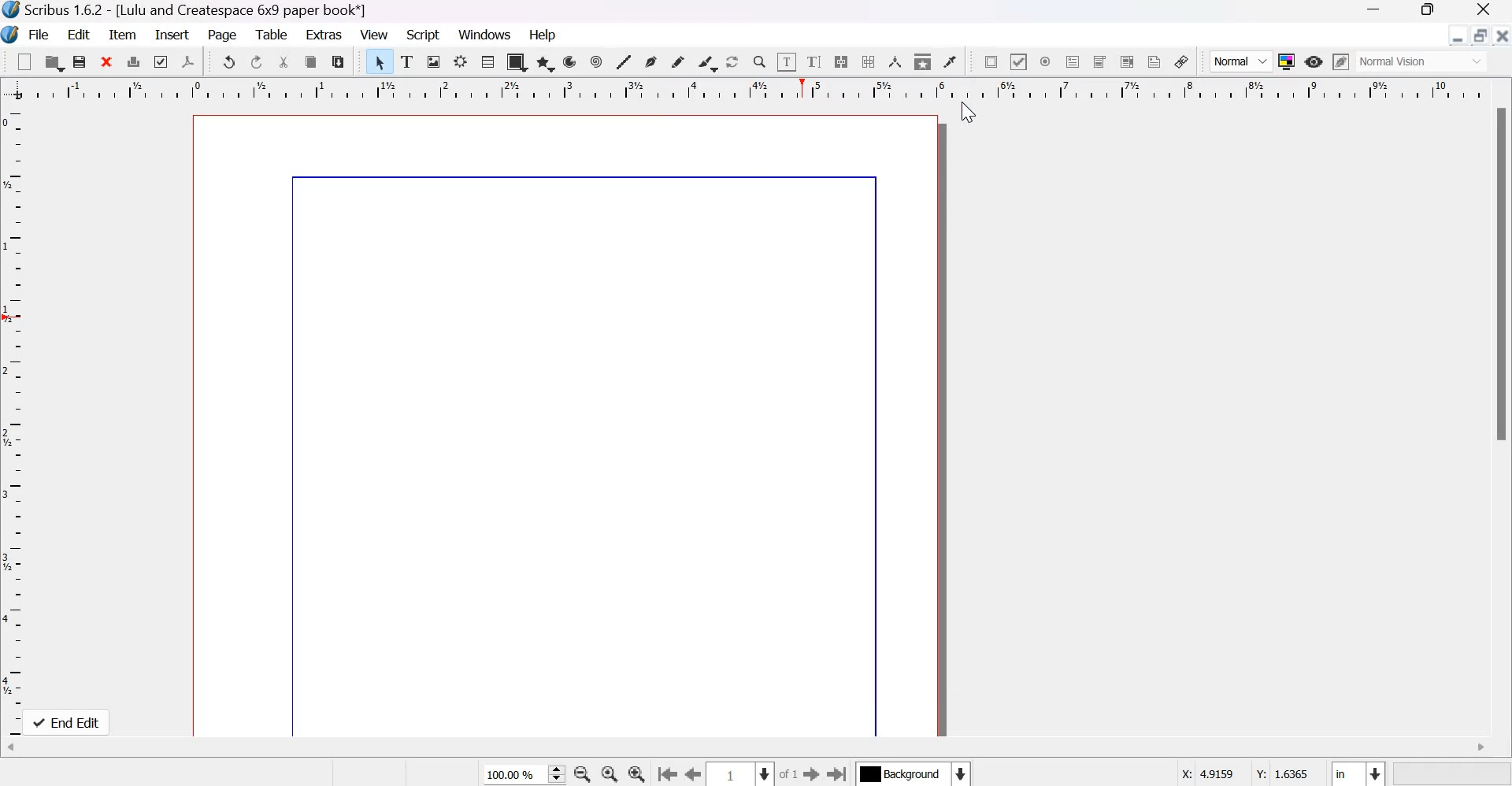 The height and width of the screenshot is (786, 1512). What do you see at coordinates (434, 63) in the screenshot?
I see `Image frame` at bounding box center [434, 63].